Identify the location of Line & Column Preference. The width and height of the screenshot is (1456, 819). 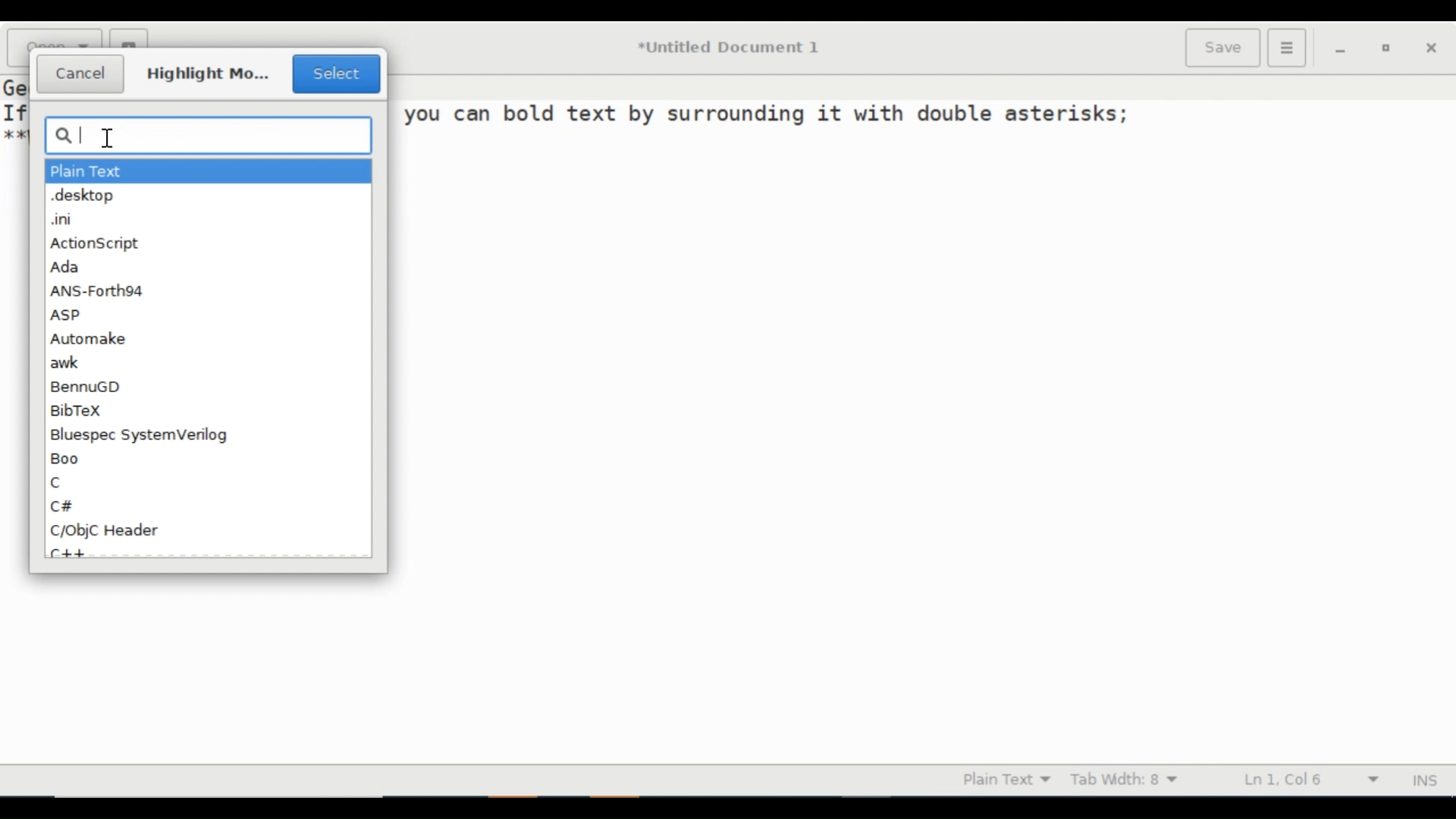
(1316, 779).